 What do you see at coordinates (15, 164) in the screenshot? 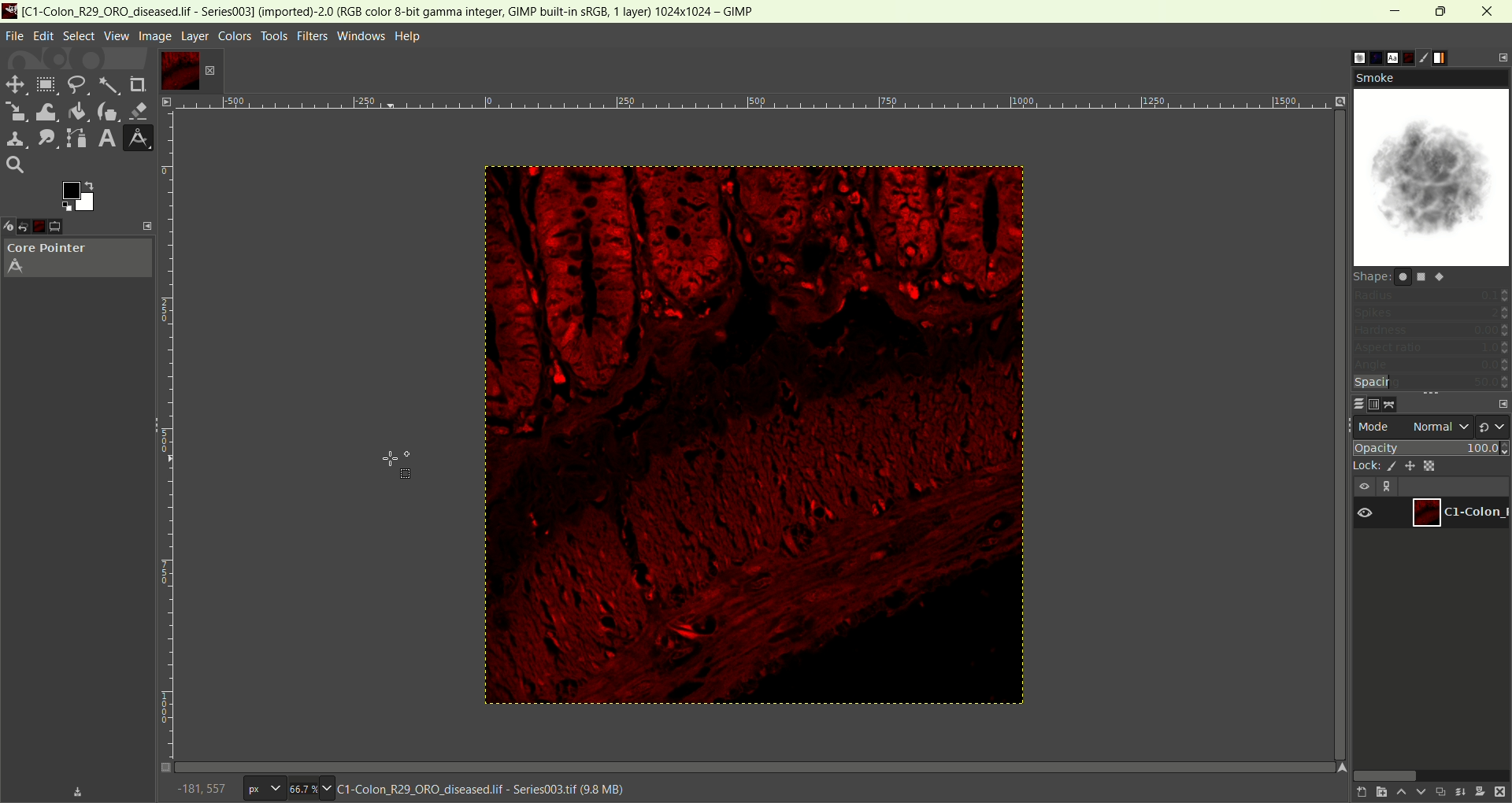
I see `search tool` at bounding box center [15, 164].